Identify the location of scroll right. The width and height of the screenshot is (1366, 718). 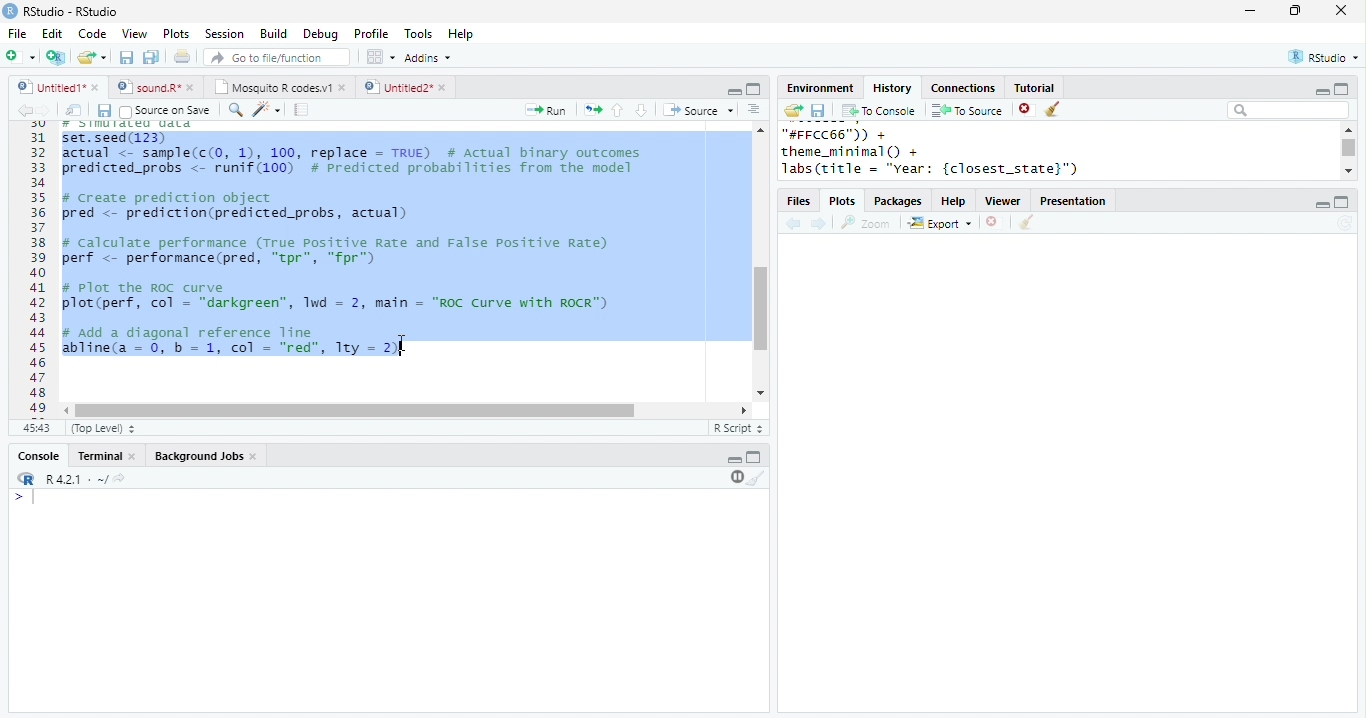
(740, 410).